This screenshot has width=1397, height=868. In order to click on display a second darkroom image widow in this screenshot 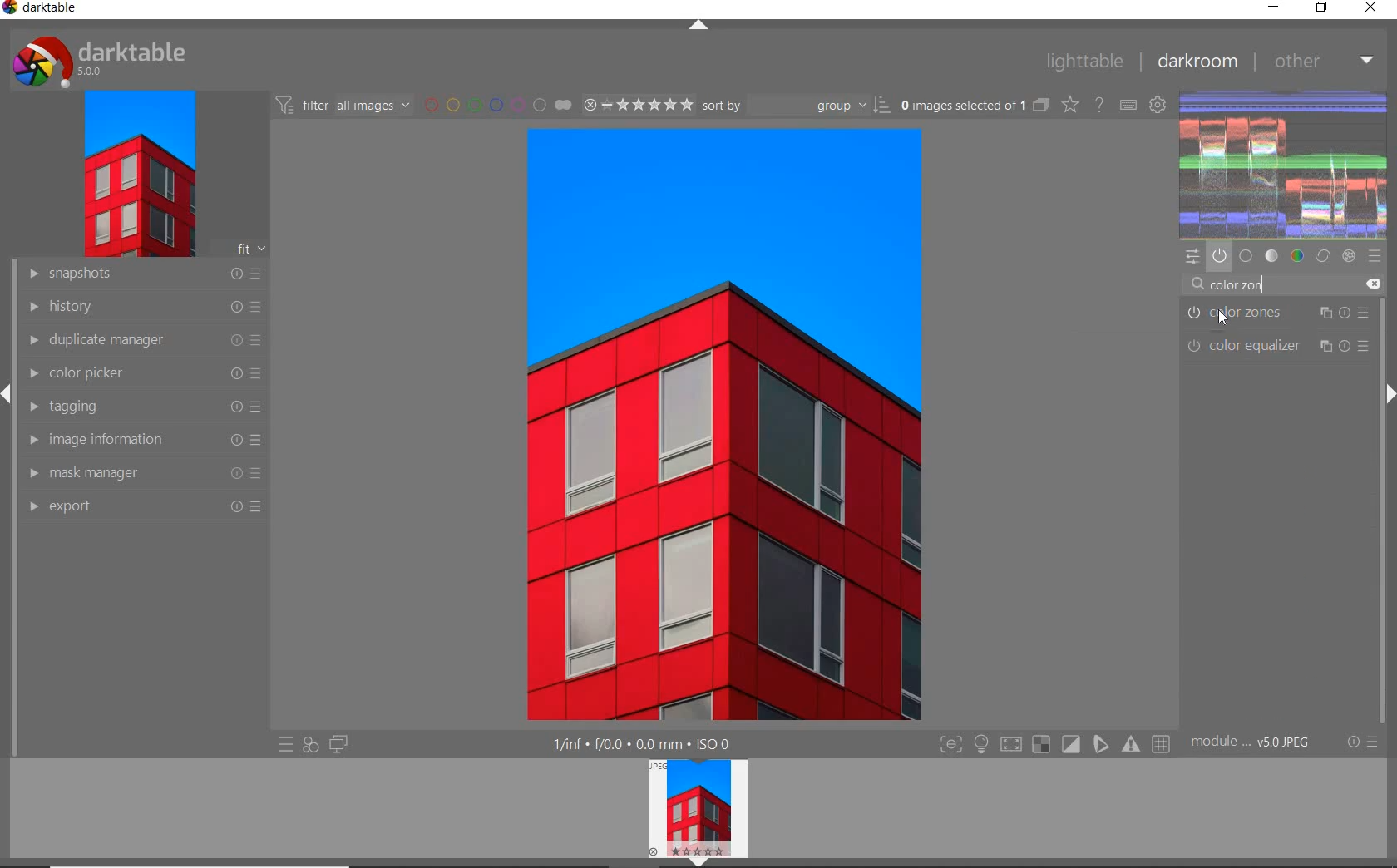, I will do `click(338, 742)`.